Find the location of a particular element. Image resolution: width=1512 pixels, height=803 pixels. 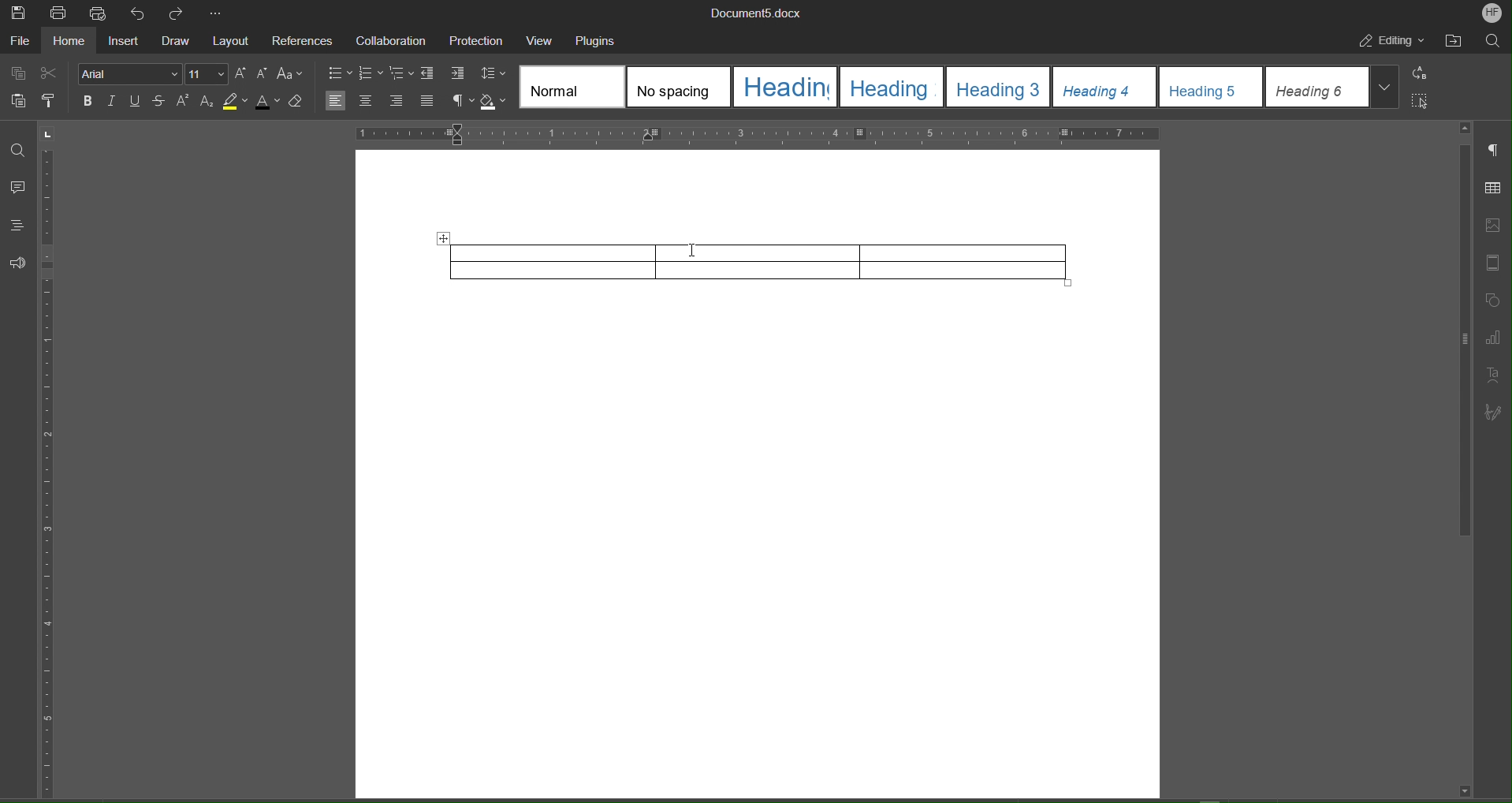

Plugins is located at coordinates (598, 41).